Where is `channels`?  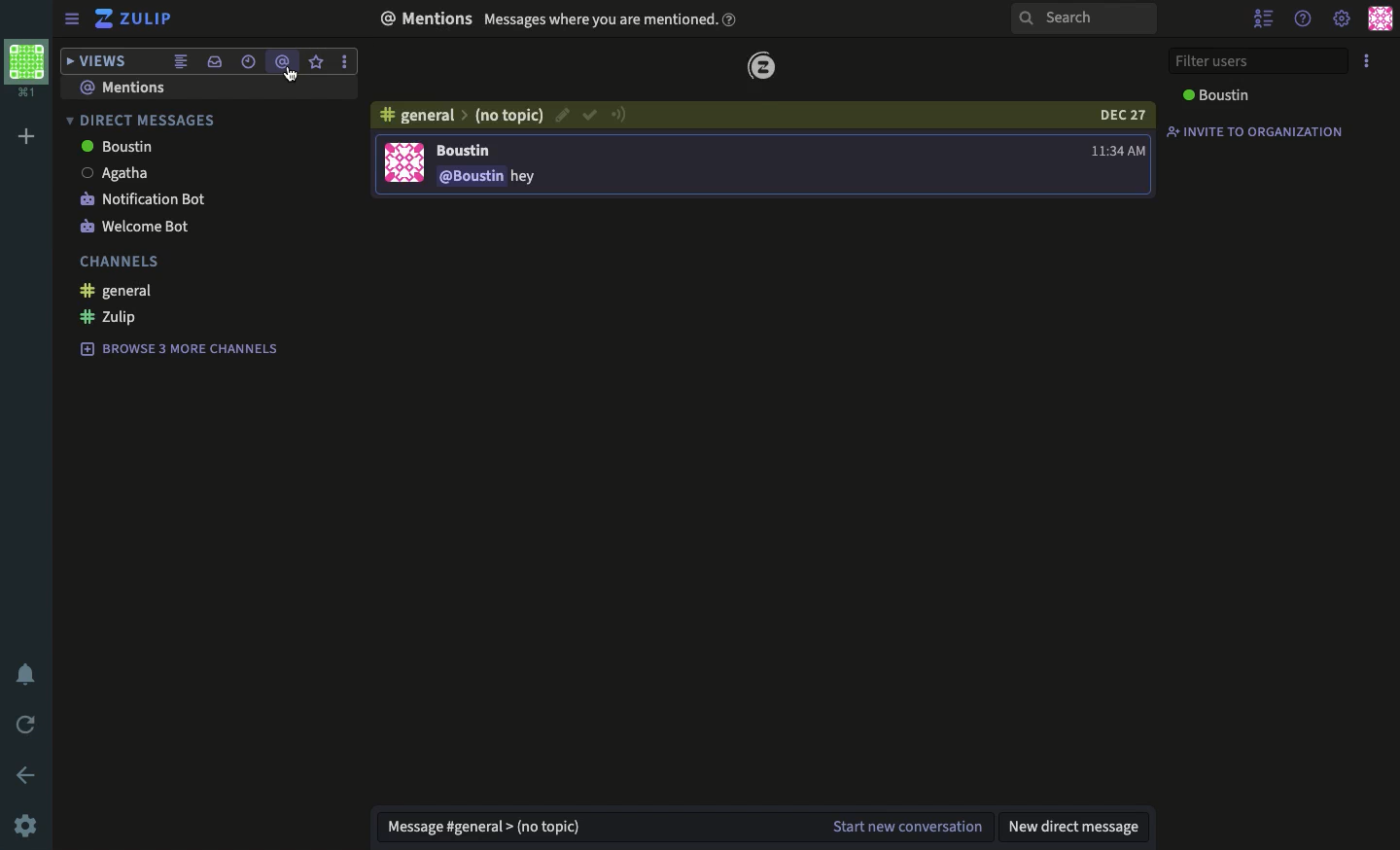 channels is located at coordinates (122, 260).